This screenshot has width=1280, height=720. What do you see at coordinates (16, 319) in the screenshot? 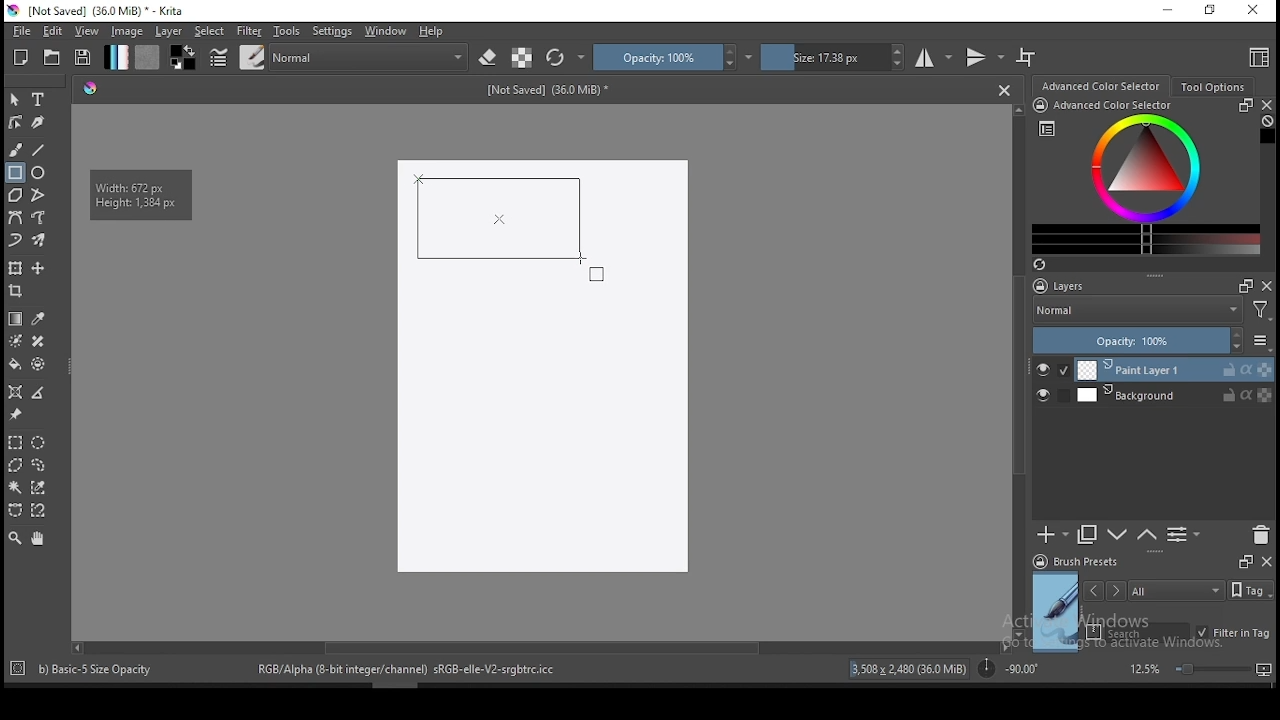
I see `gradient tool` at bounding box center [16, 319].